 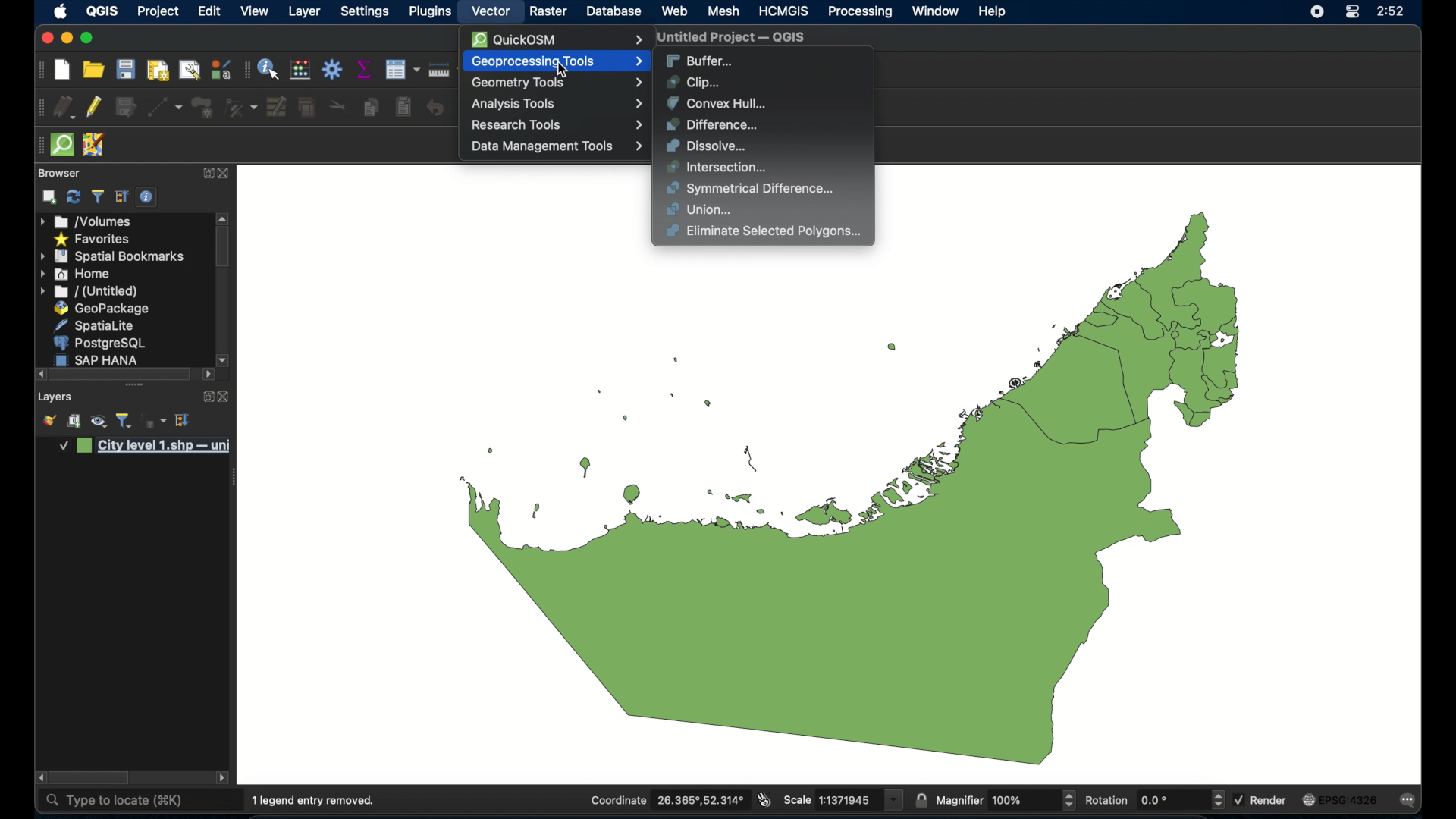 I want to click on modify attributes, so click(x=275, y=107).